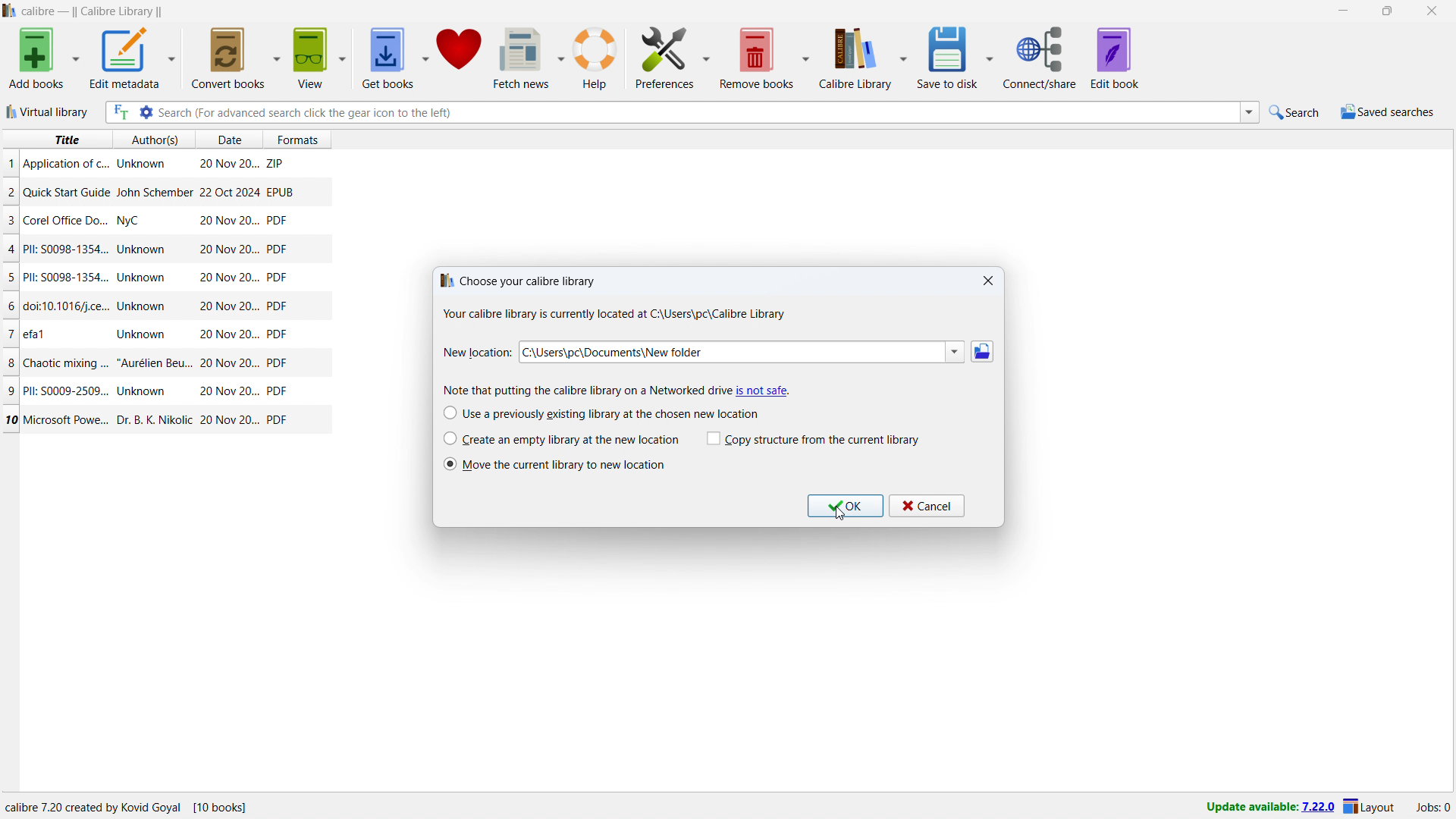 This screenshot has width=1456, height=819. I want to click on minimize, so click(1341, 11).